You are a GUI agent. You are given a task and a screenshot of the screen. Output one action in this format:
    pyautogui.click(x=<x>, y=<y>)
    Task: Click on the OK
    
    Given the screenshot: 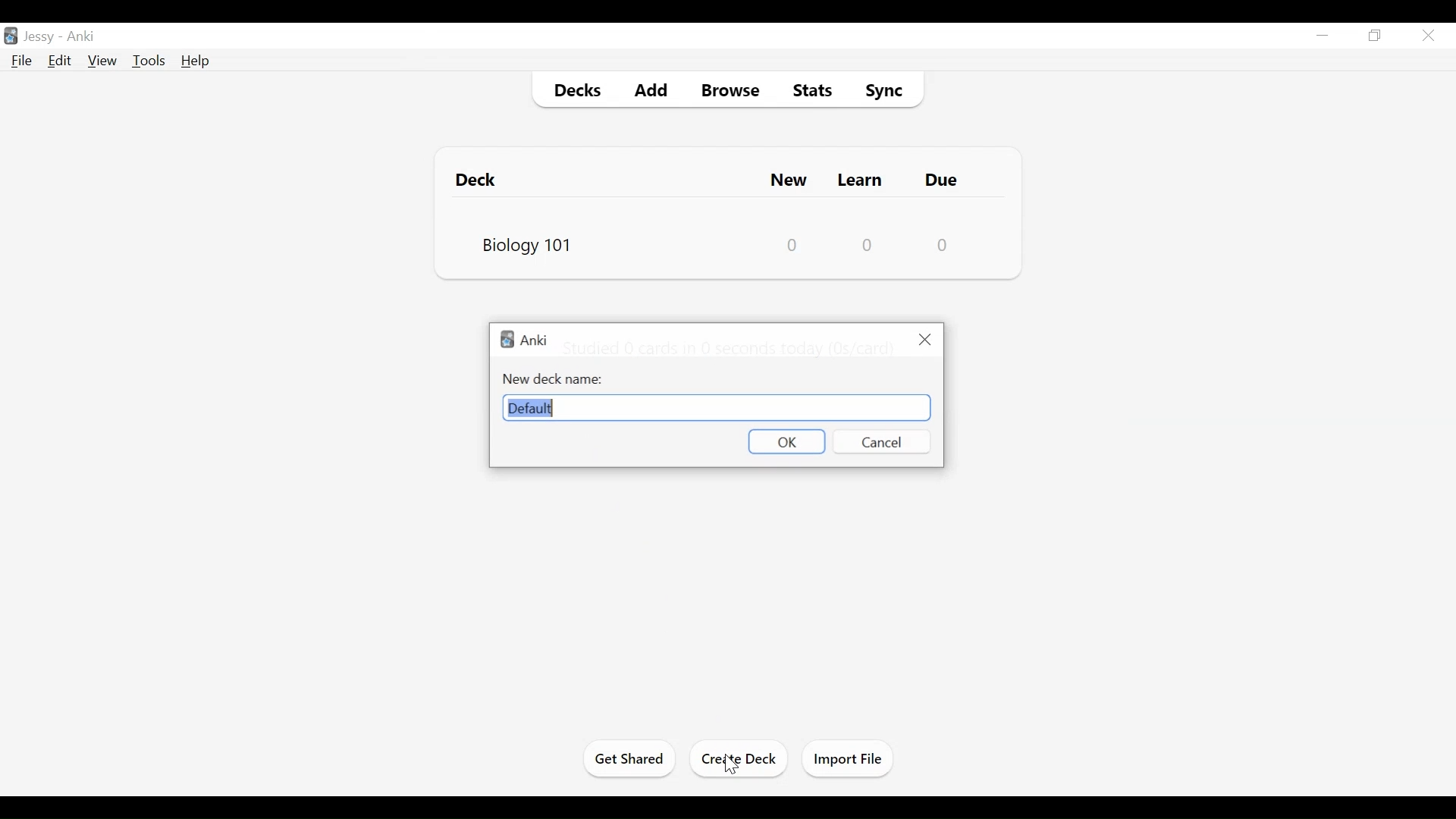 What is the action you would take?
    pyautogui.click(x=786, y=442)
    